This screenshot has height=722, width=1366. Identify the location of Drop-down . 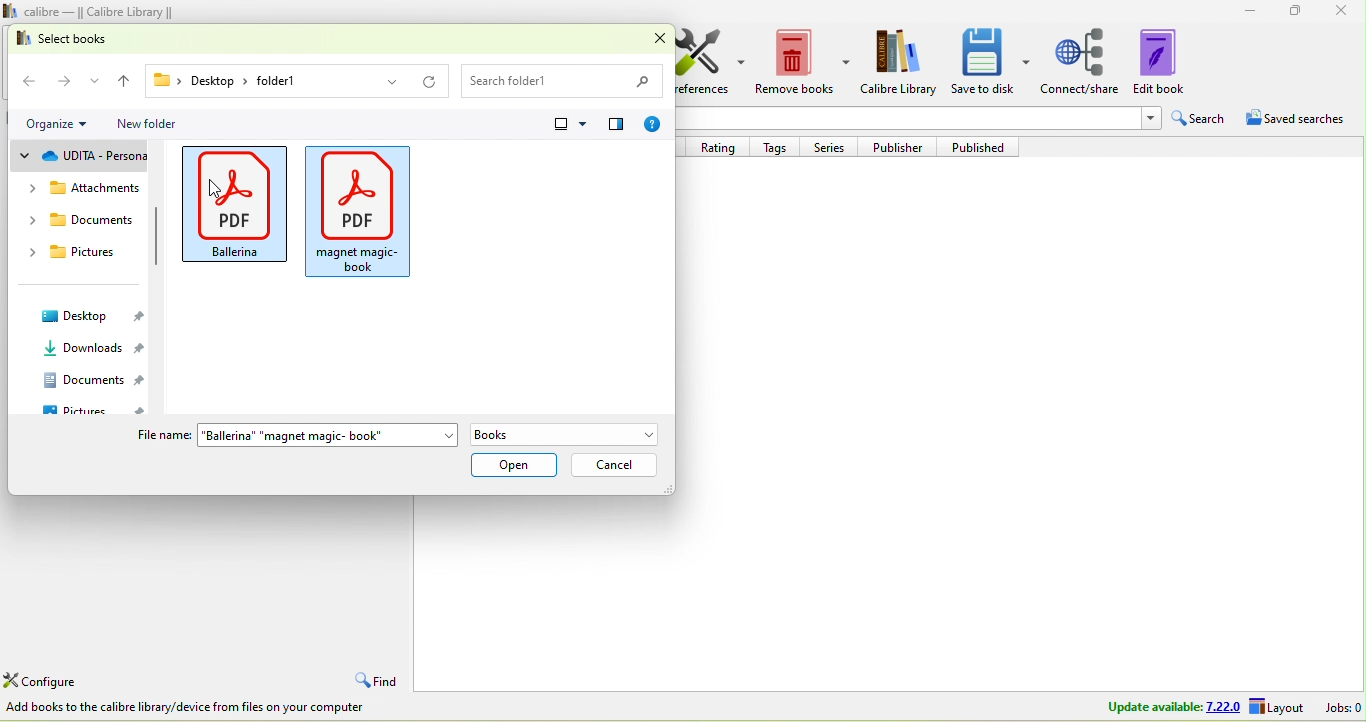
(1152, 119).